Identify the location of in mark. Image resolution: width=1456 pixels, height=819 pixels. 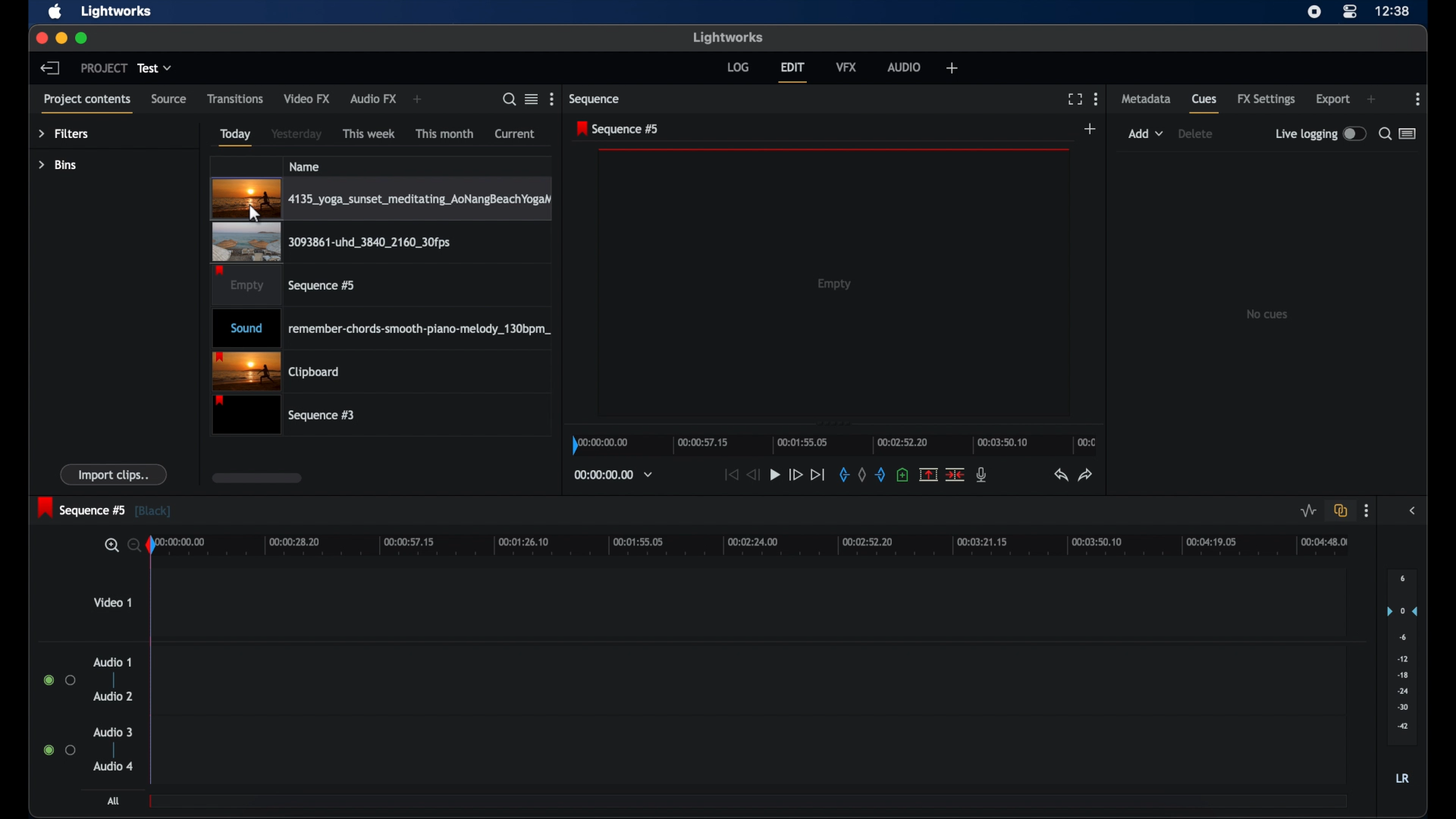
(843, 475).